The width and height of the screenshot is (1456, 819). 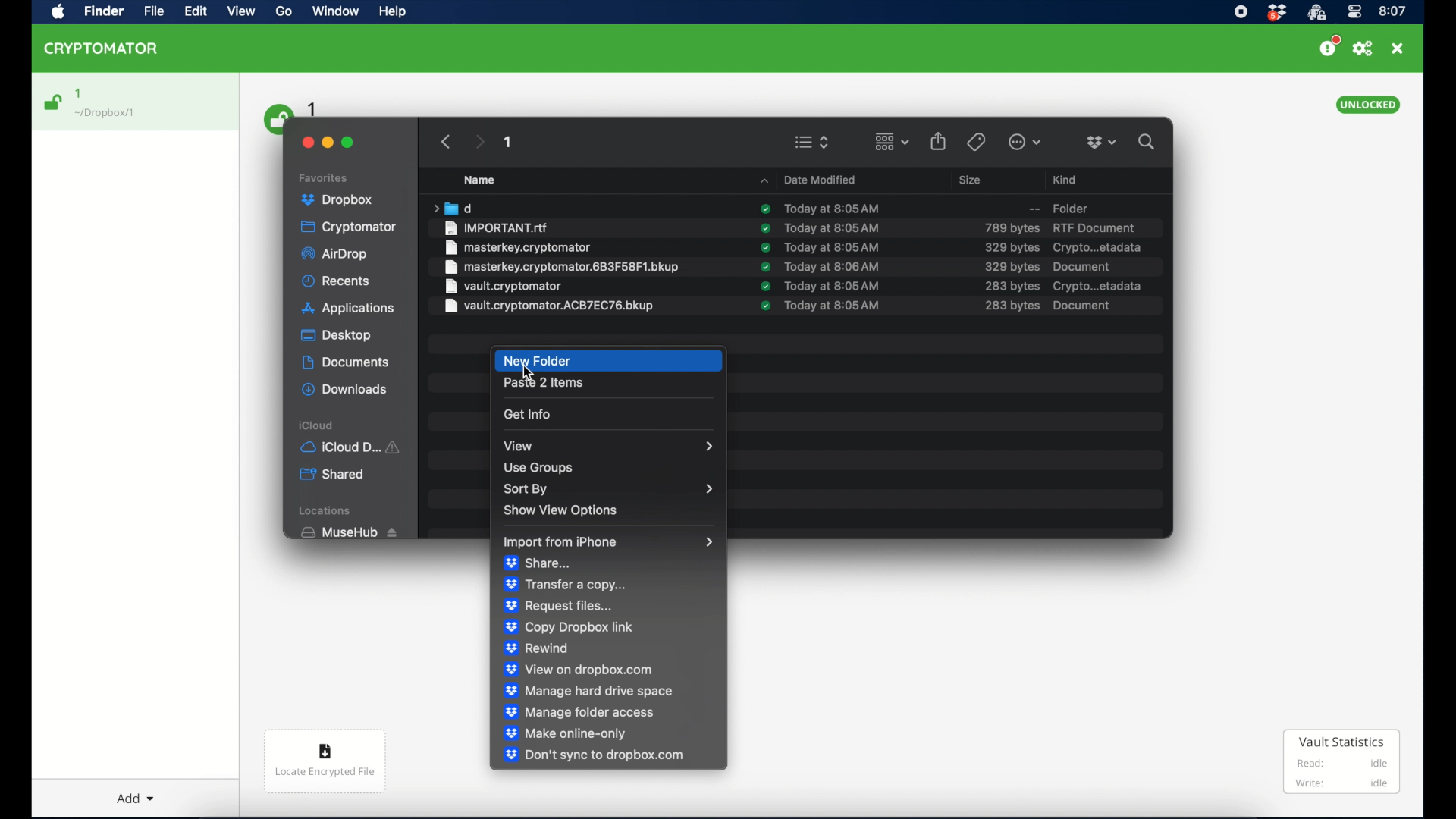 What do you see at coordinates (329, 141) in the screenshot?
I see `minimize` at bounding box center [329, 141].